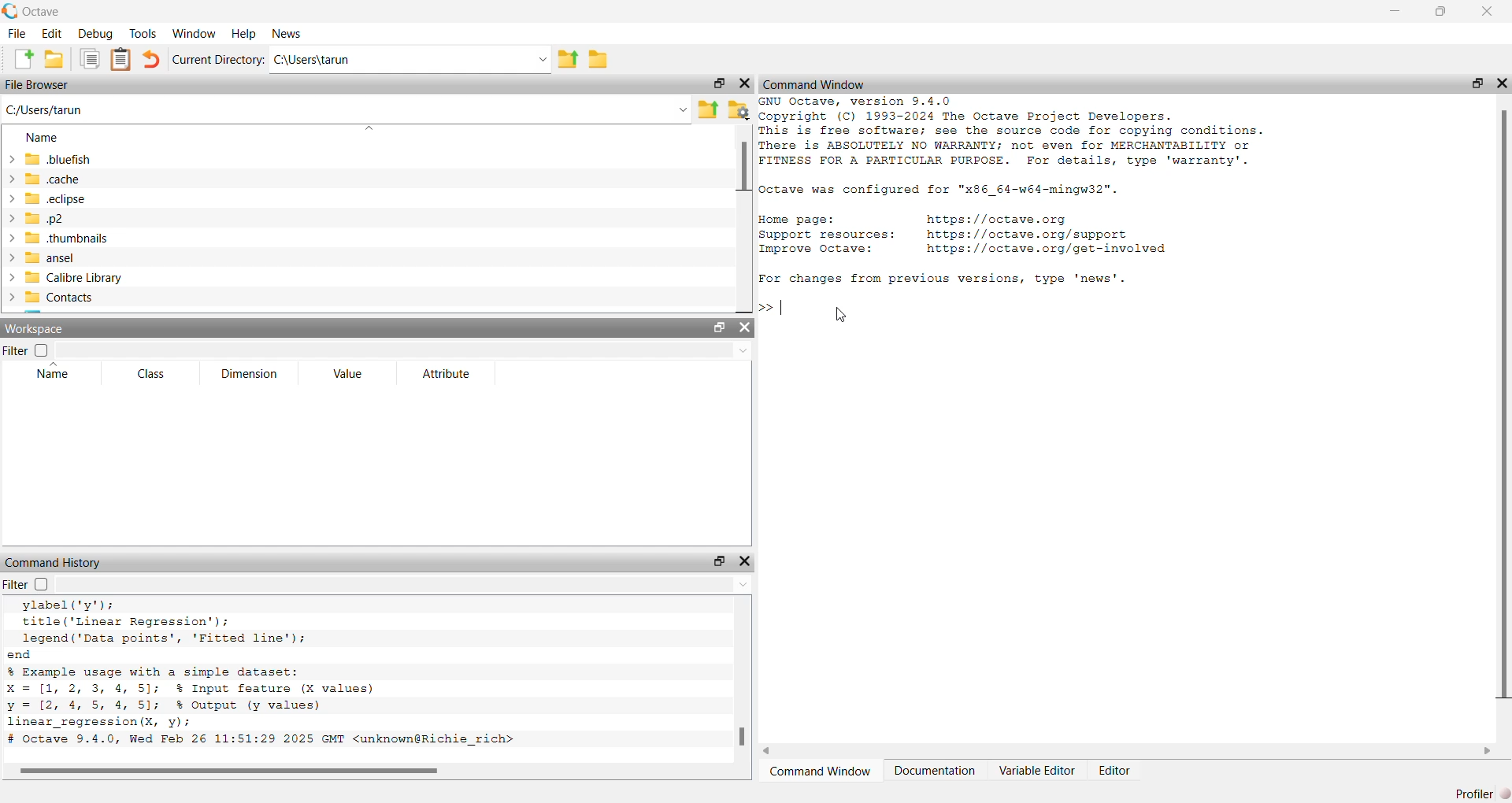 This screenshot has width=1512, height=803. What do you see at coordinates (55, 60) in the screenshot?
I see `open an existing file in editor` at bounding box center [55, 60].